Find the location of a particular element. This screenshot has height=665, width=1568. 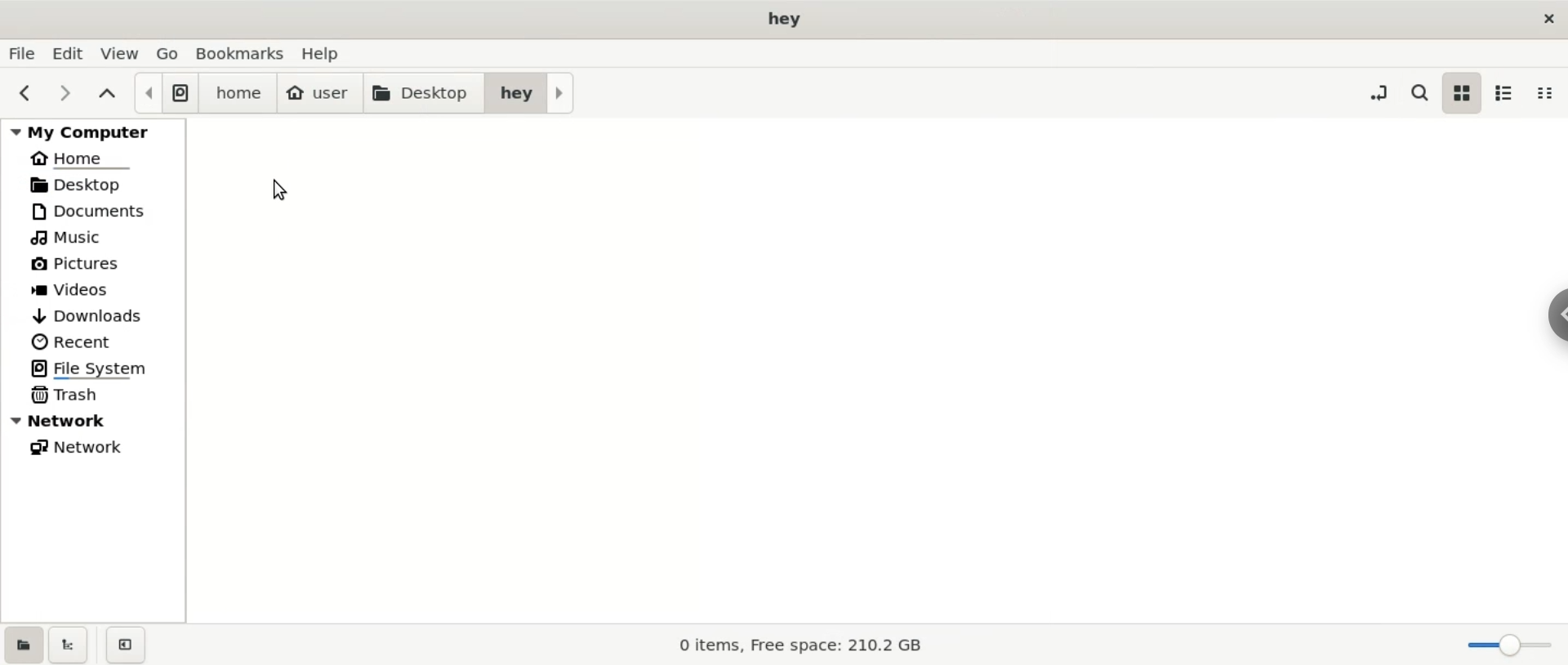

file system is located at coordinates (165, 93).